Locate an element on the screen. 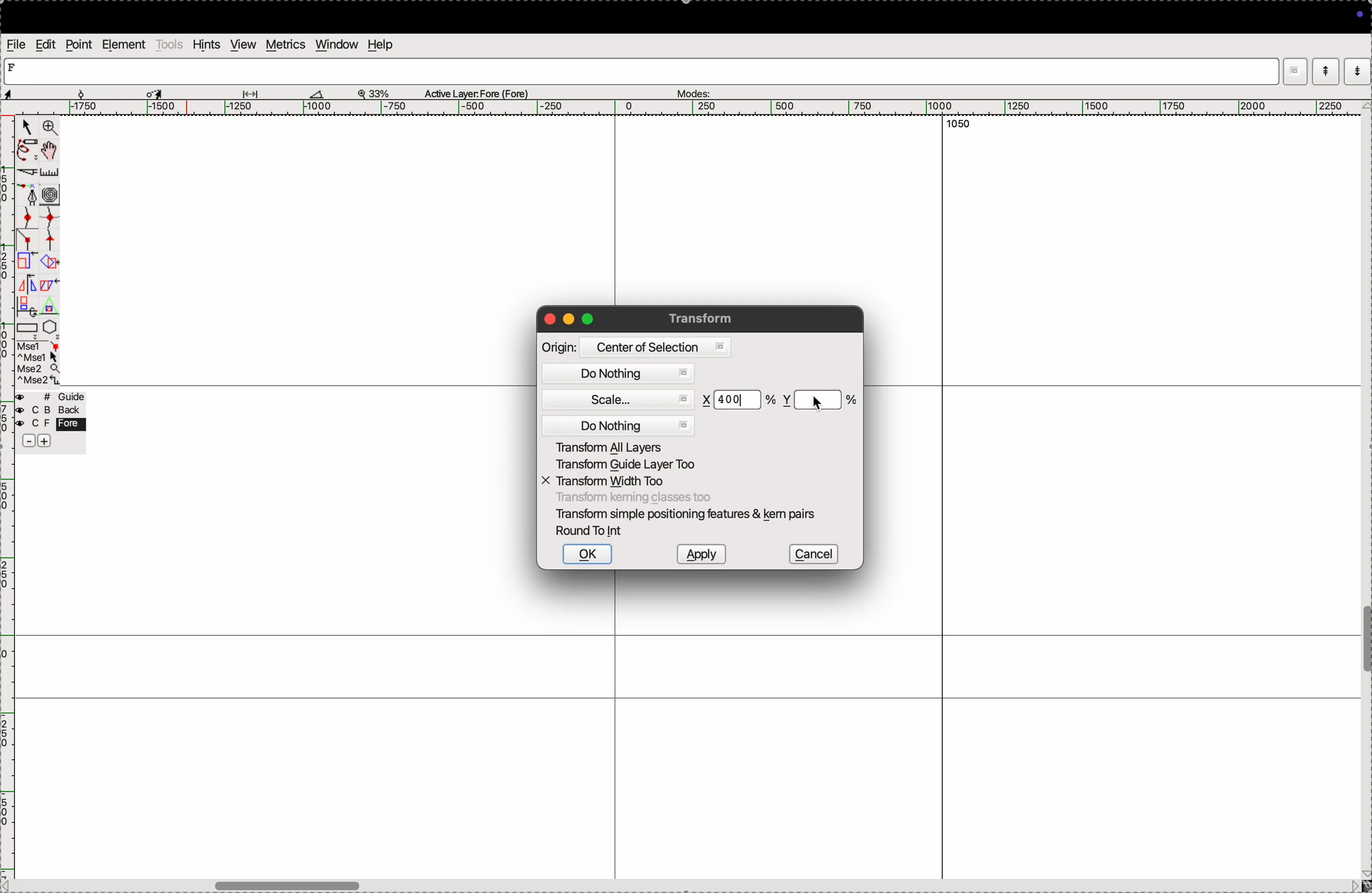  ok is located at coordinates (587, 554).